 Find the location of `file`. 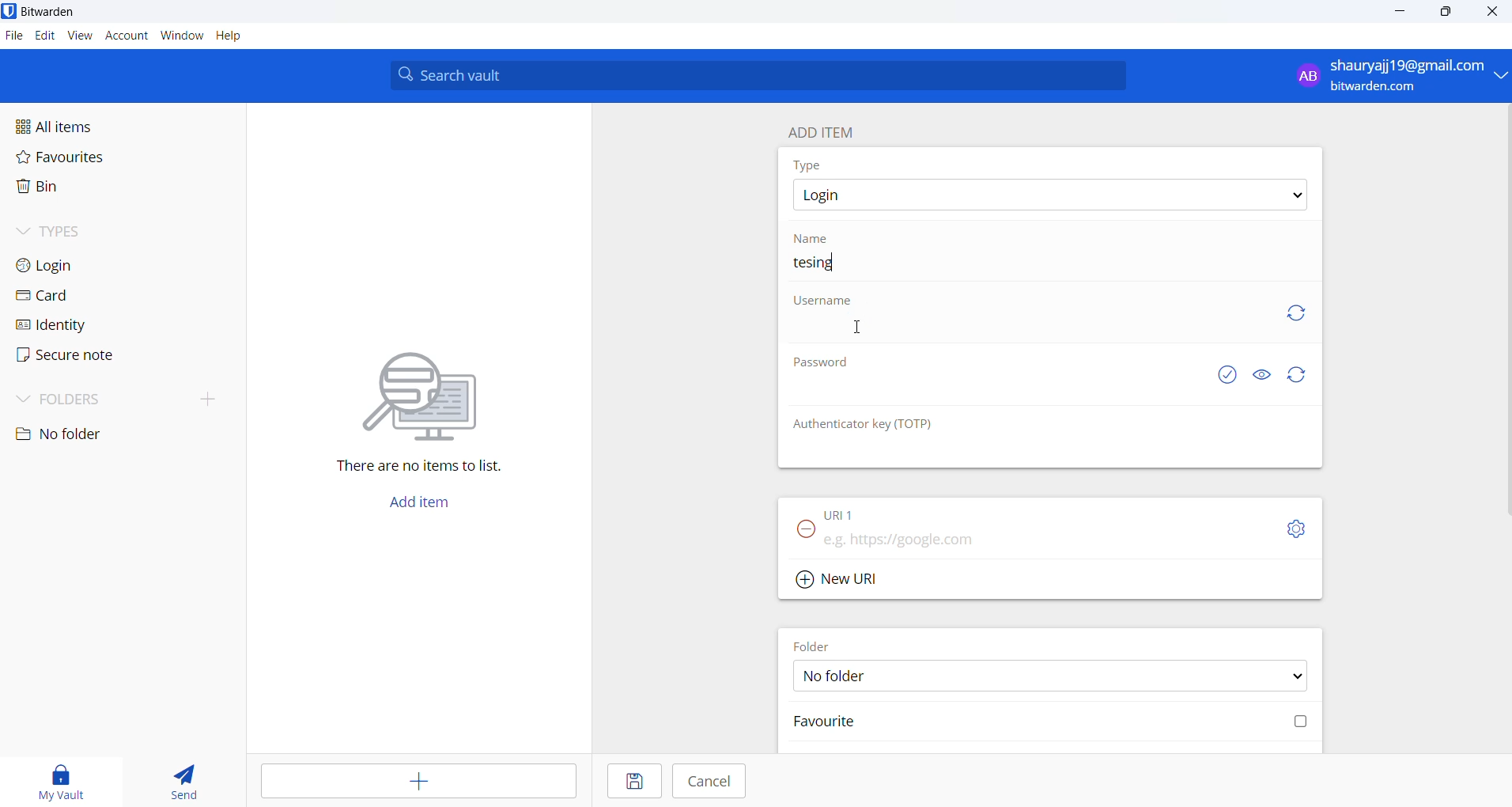

file is located at coordinates (13, 36).